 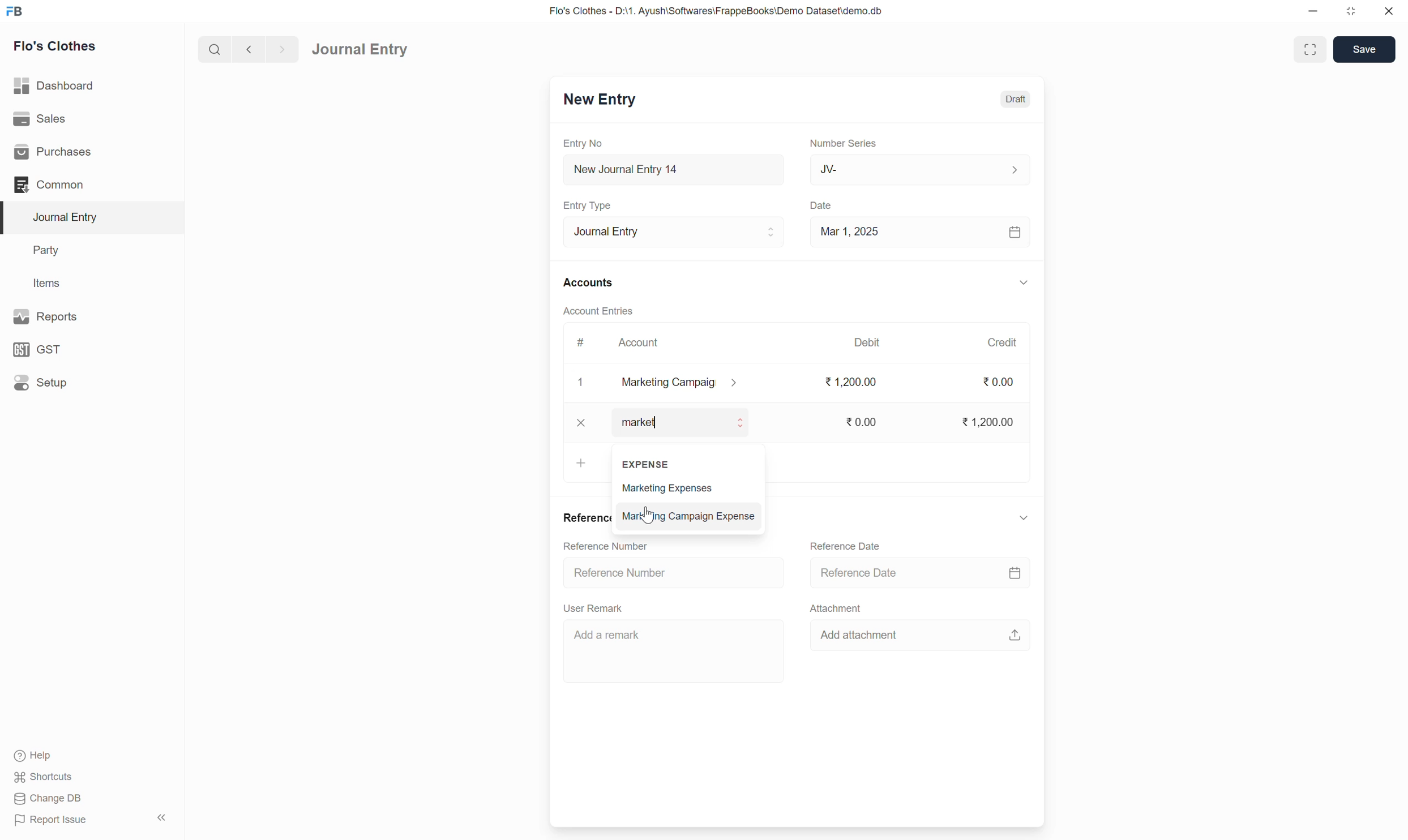 What do you see at coordinates (585, 517) in the screenshot?
I see `Reference` at bounding box center [585, 517].